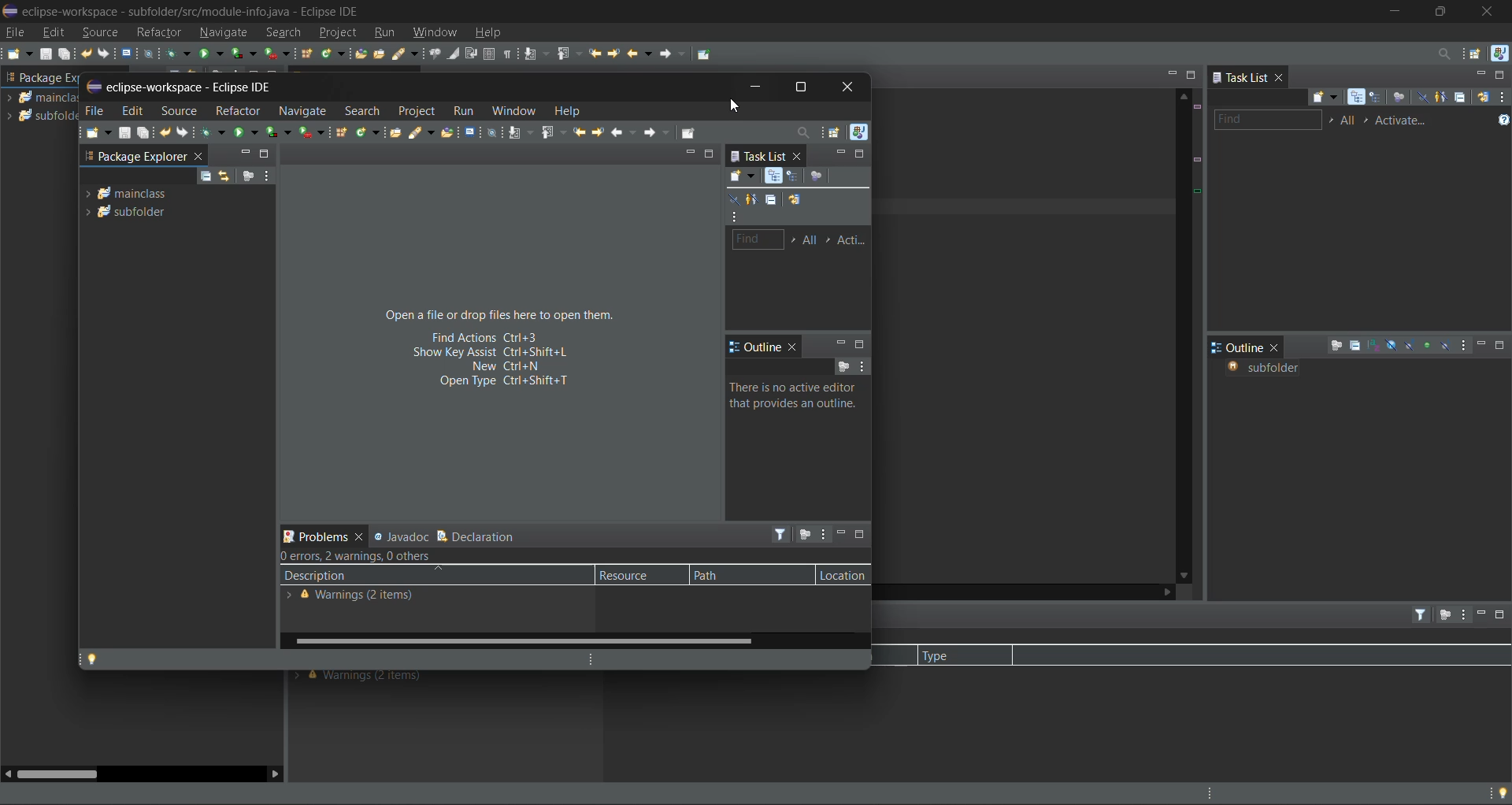 Image resolution: width=1512 pixels, height=805 pixels. What do you see at coordinates (1499, 792) in the screenshot?
I see `tip of the day` at bounding box center [1499, 792].